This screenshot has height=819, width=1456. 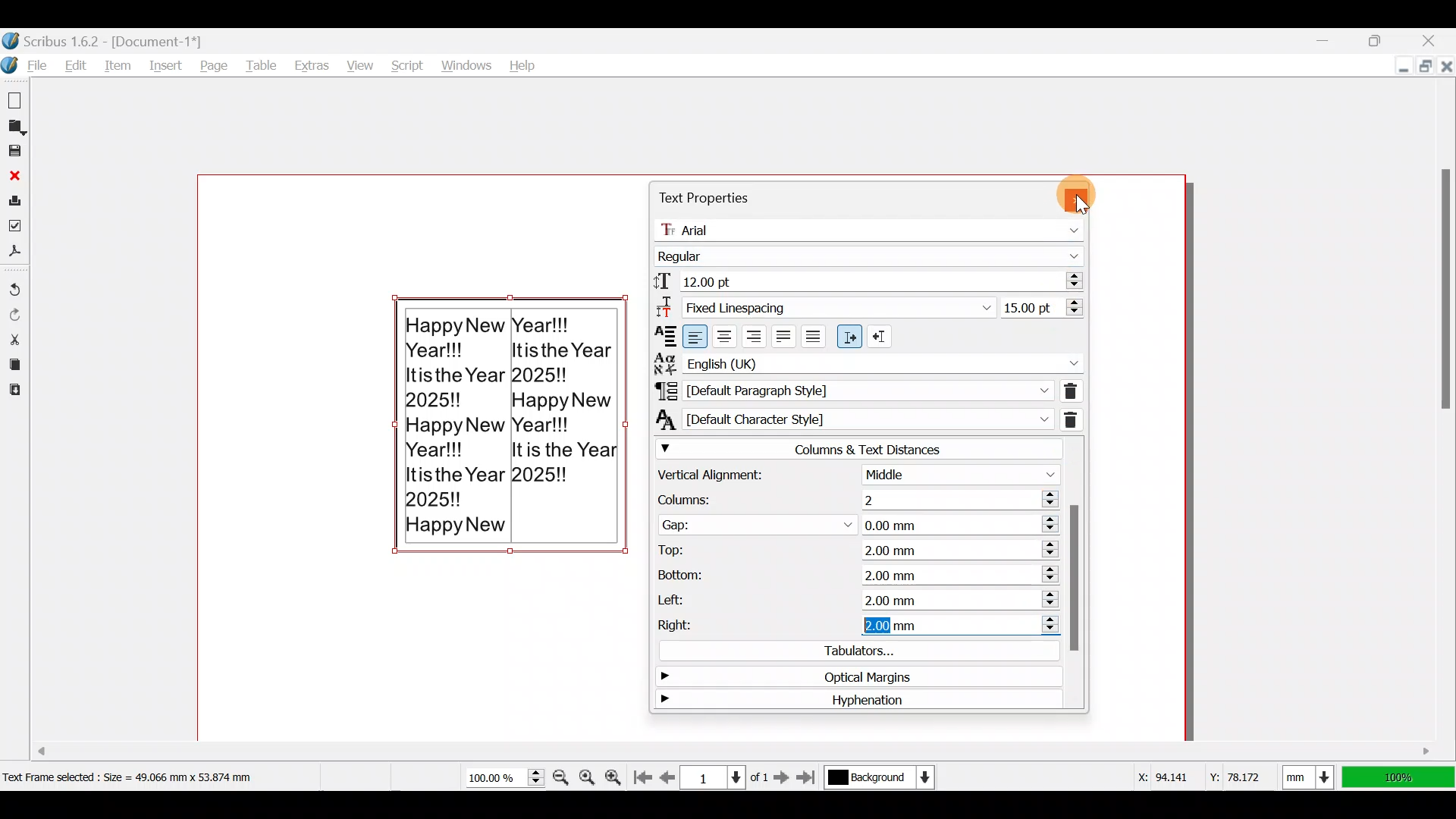 I want to click on Tabulators, so click(x=852, y=653).